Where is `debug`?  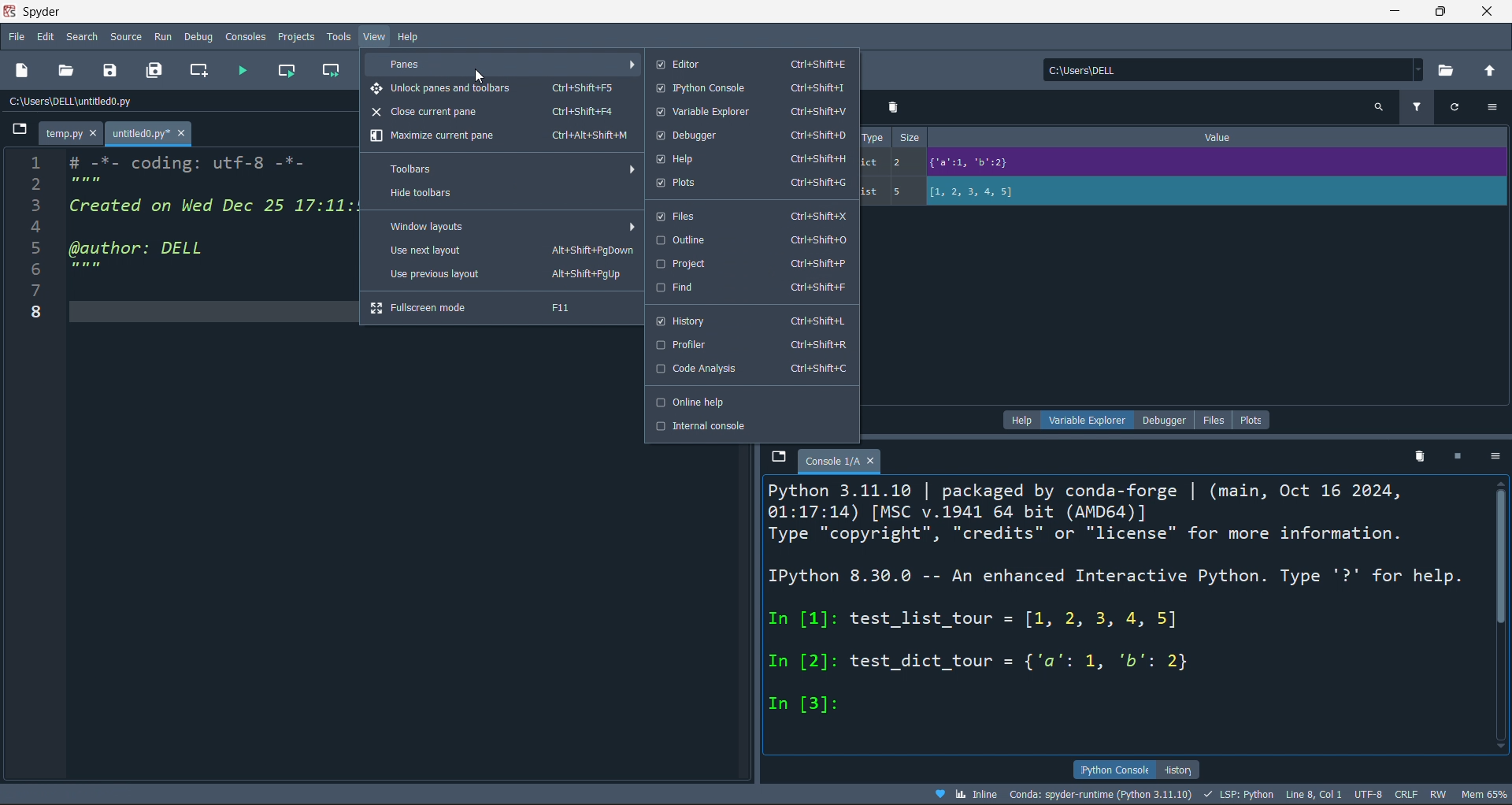 debug is located at coordinates (197, 36).